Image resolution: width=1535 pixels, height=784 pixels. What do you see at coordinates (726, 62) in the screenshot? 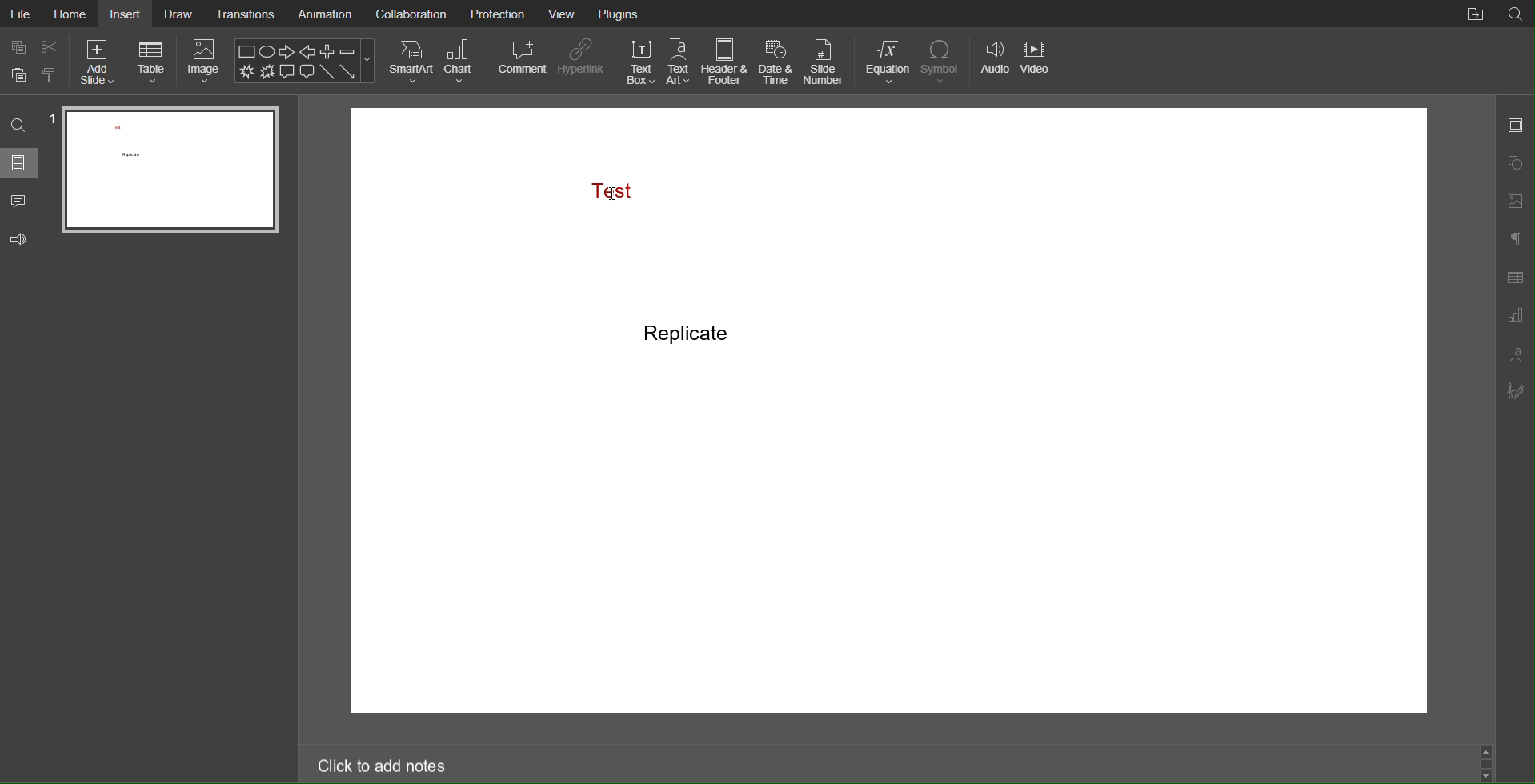
I see `Header & Footer` at bounding box center [726, 62].